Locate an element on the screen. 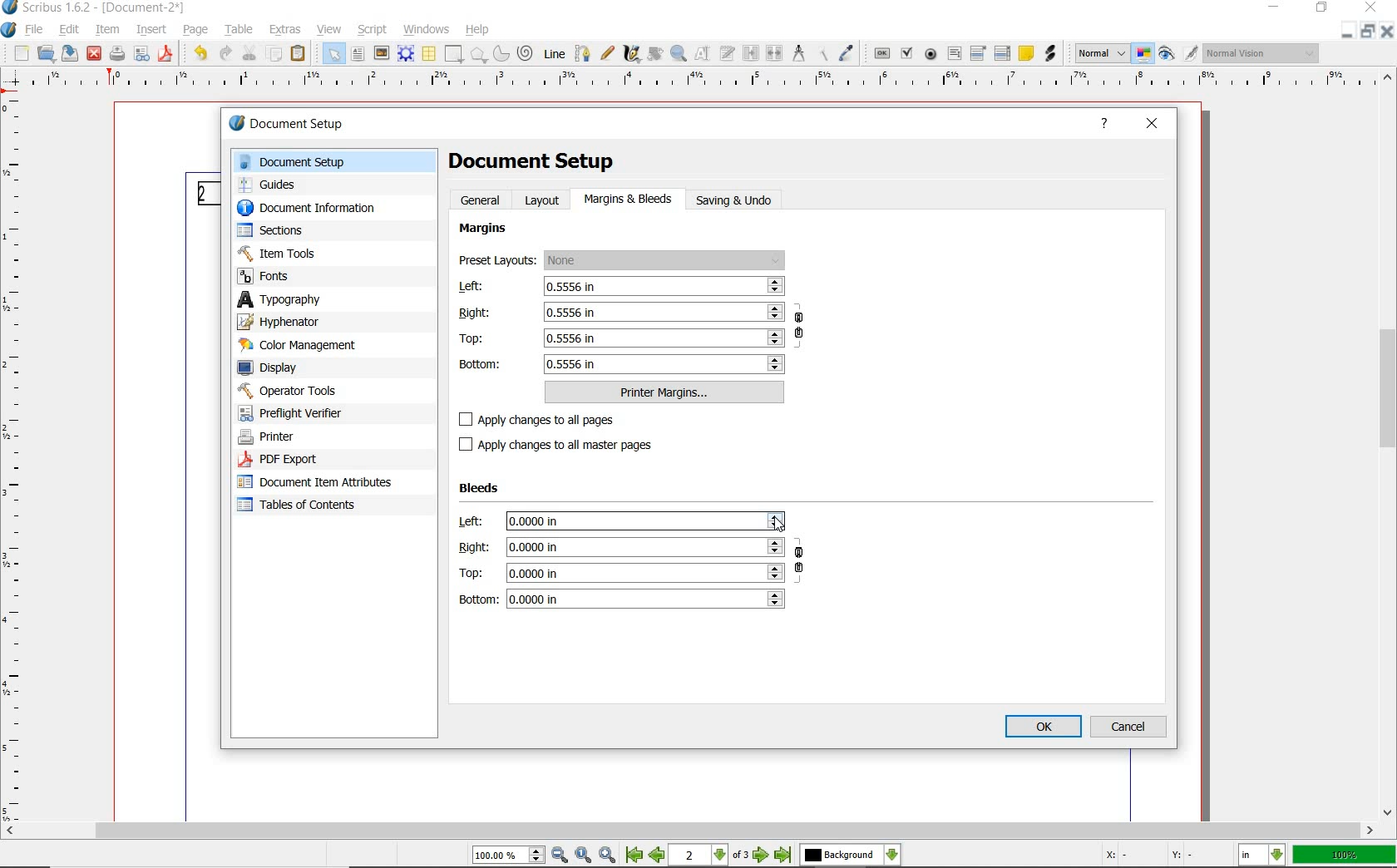 The width and height of the screenshot is (1397, 868). Curspr Coordinates is located at coordinates (1150, 856).